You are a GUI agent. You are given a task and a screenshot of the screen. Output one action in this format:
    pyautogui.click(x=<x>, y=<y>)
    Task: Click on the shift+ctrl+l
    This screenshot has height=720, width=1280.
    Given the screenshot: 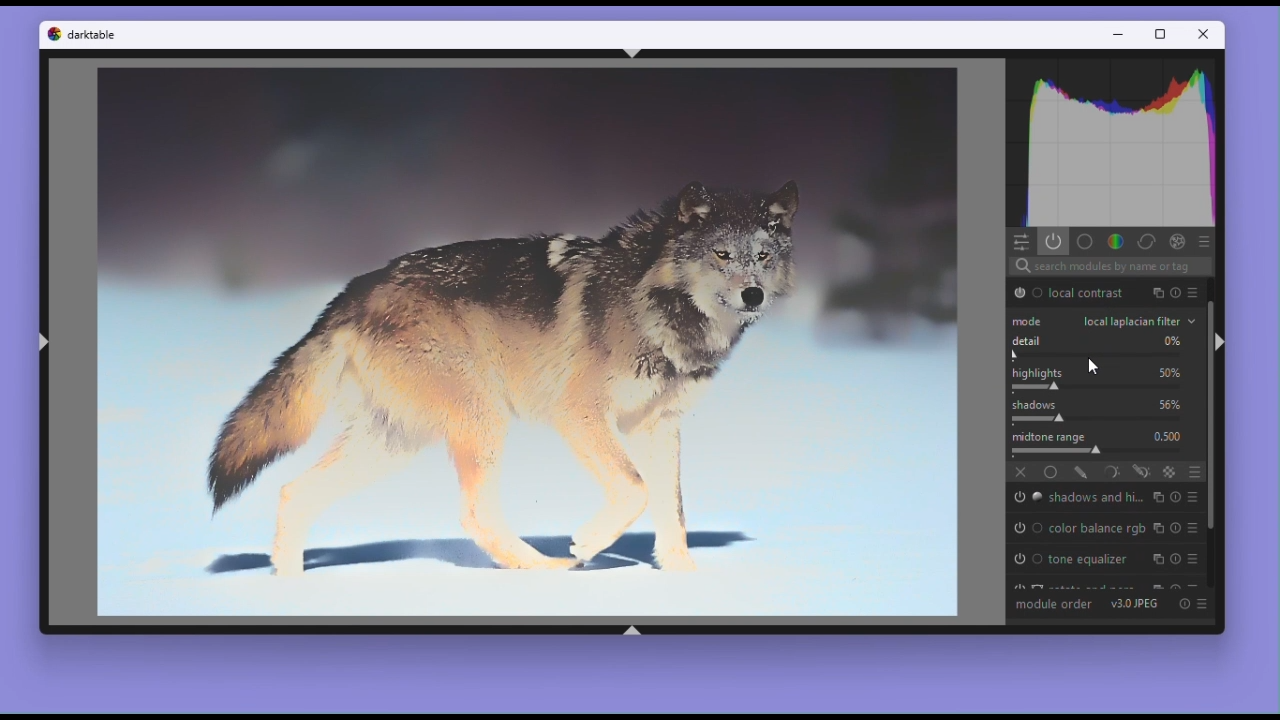 What is the action you would take?
    pyautogui.click(x=44, y=341)
    